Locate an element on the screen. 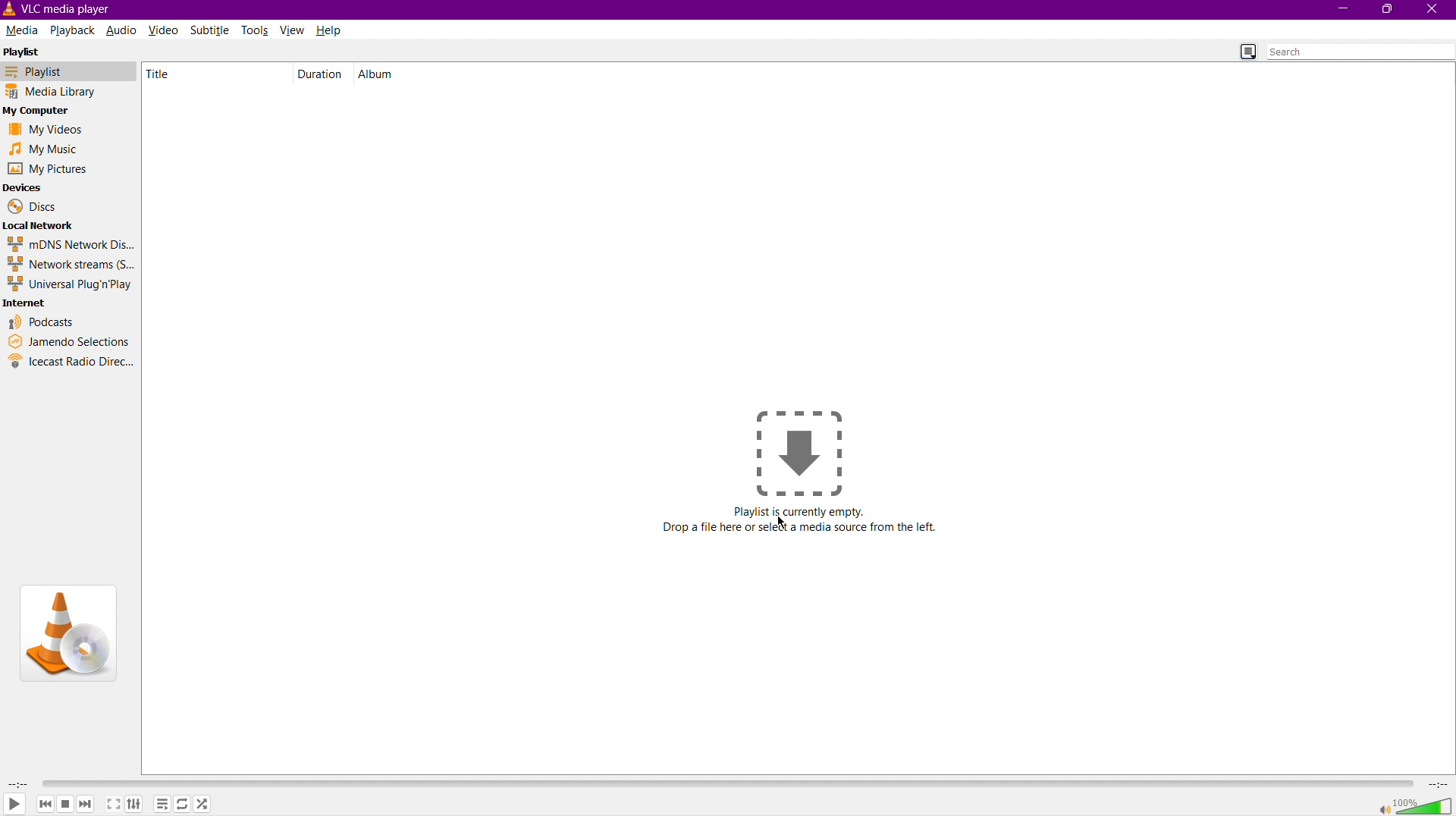  Volume is located at coordinates (1402, 805).